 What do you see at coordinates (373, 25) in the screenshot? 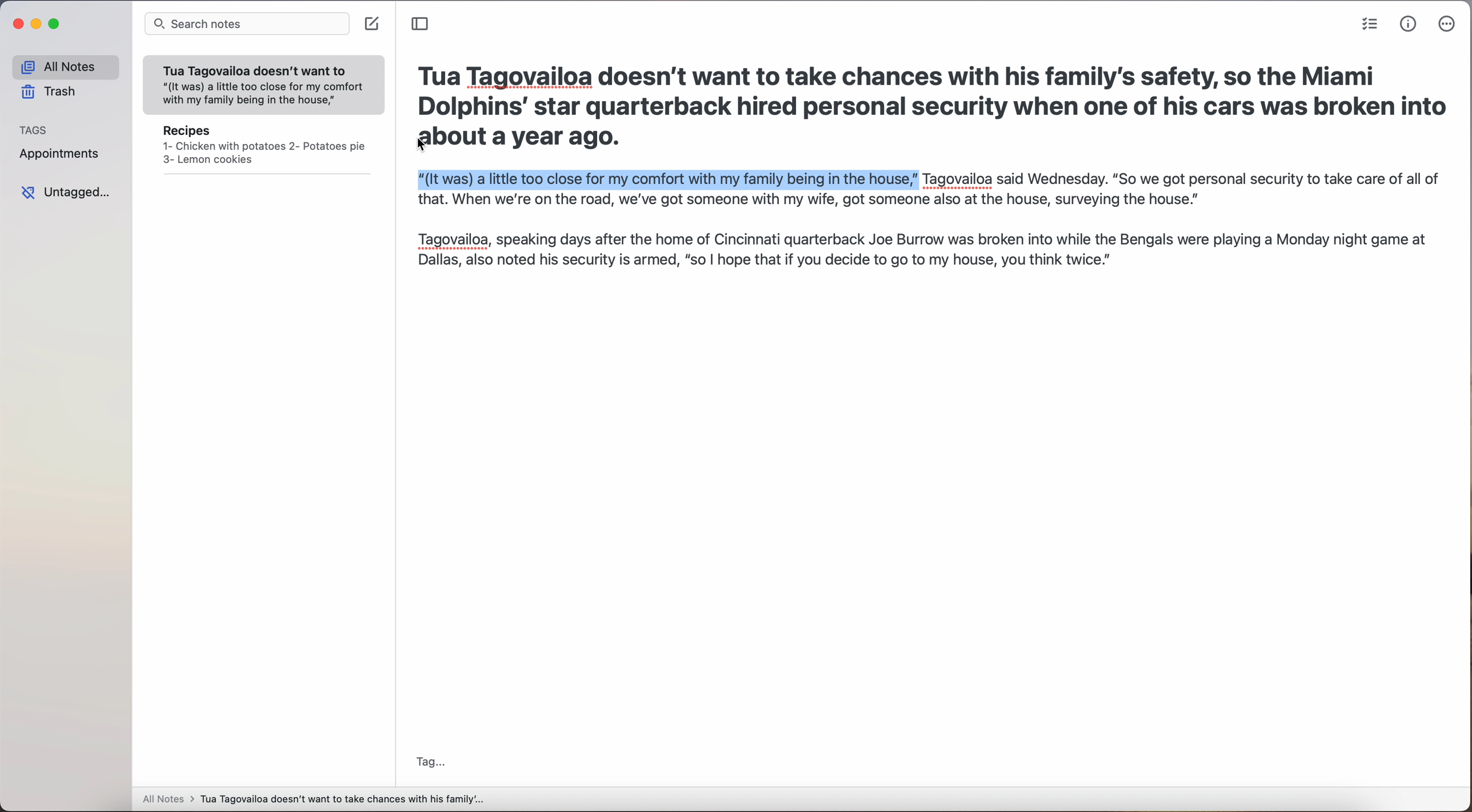
I see `create note` at bounding box center [373, 25].